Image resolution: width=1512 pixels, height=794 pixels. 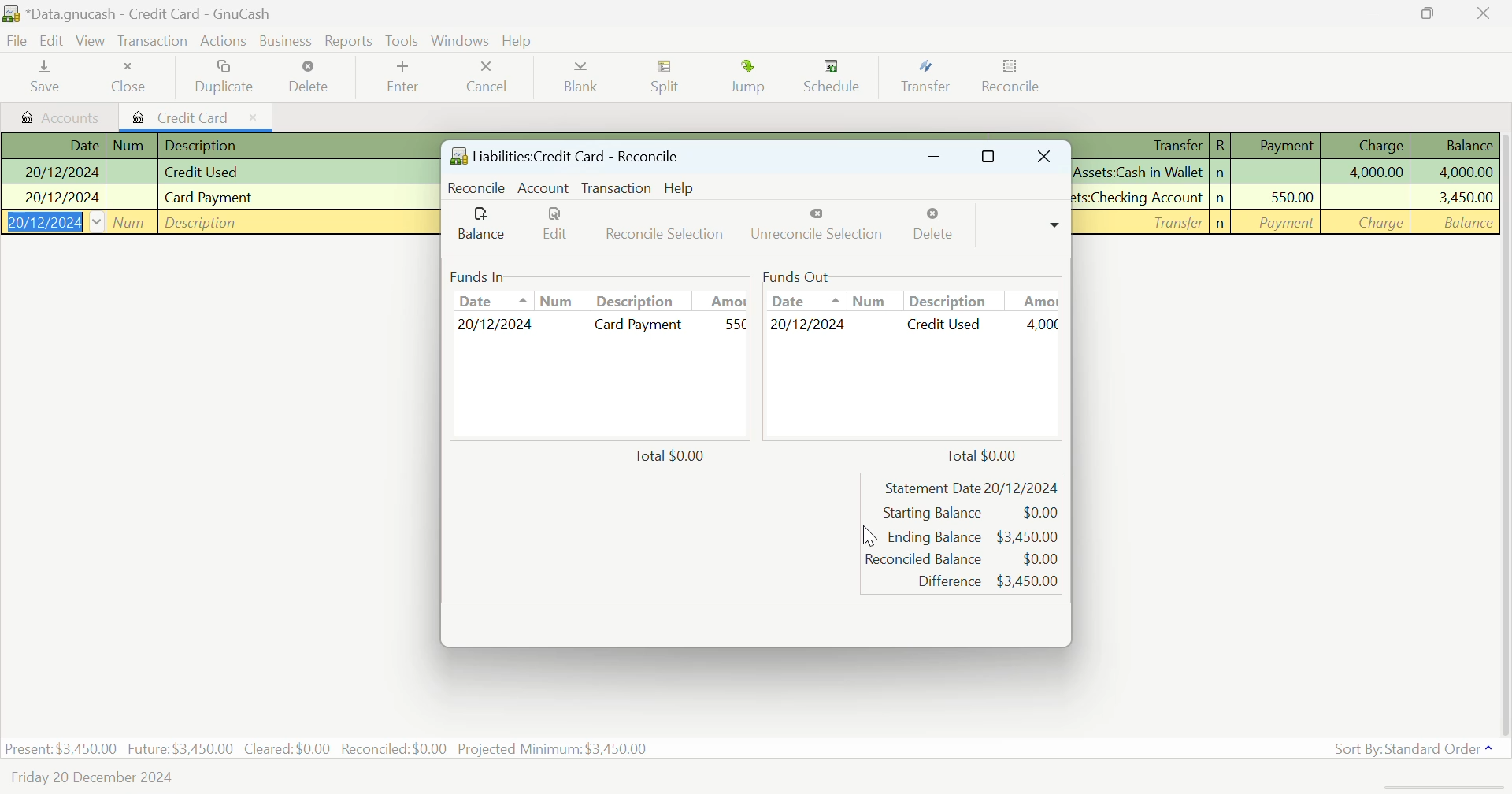 I want to click on Minimize, so click(x=1428, y=14).